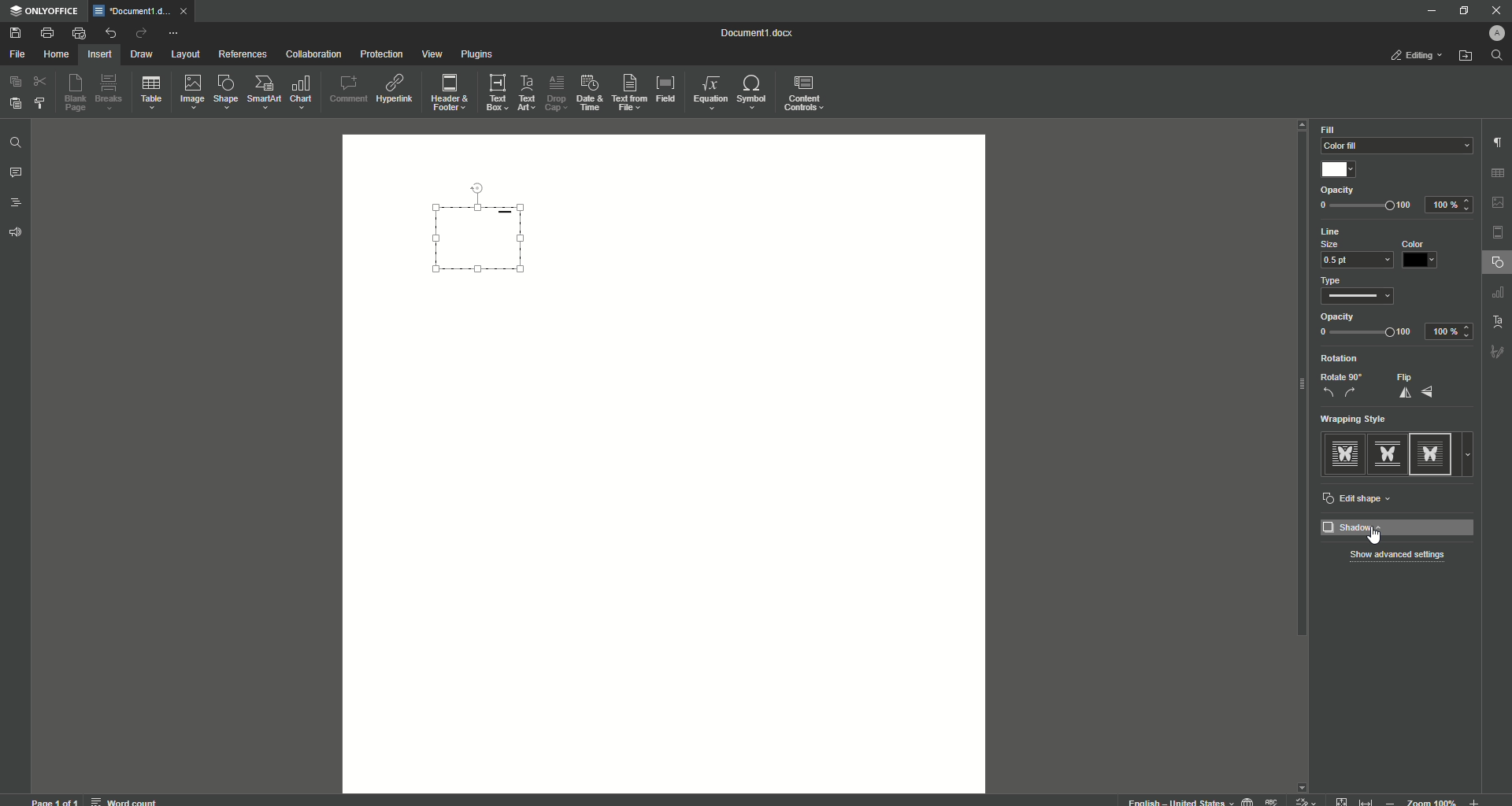  What do you see at coordinates (487, 240) in the screenshot?
I see `Rectangle` at bounding box center [487, 240].